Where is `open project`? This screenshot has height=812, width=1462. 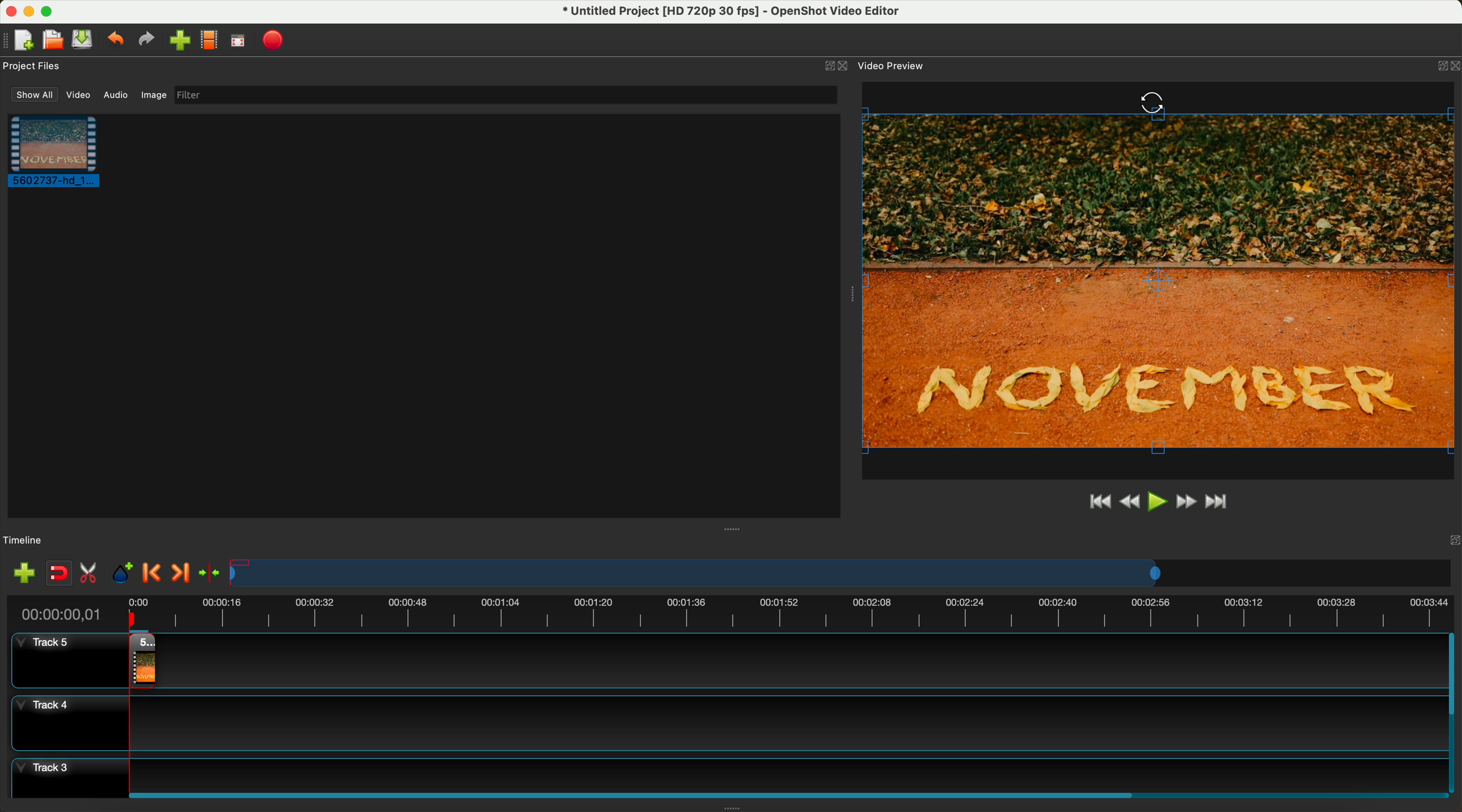
open project is located at coordinates (52, 37).